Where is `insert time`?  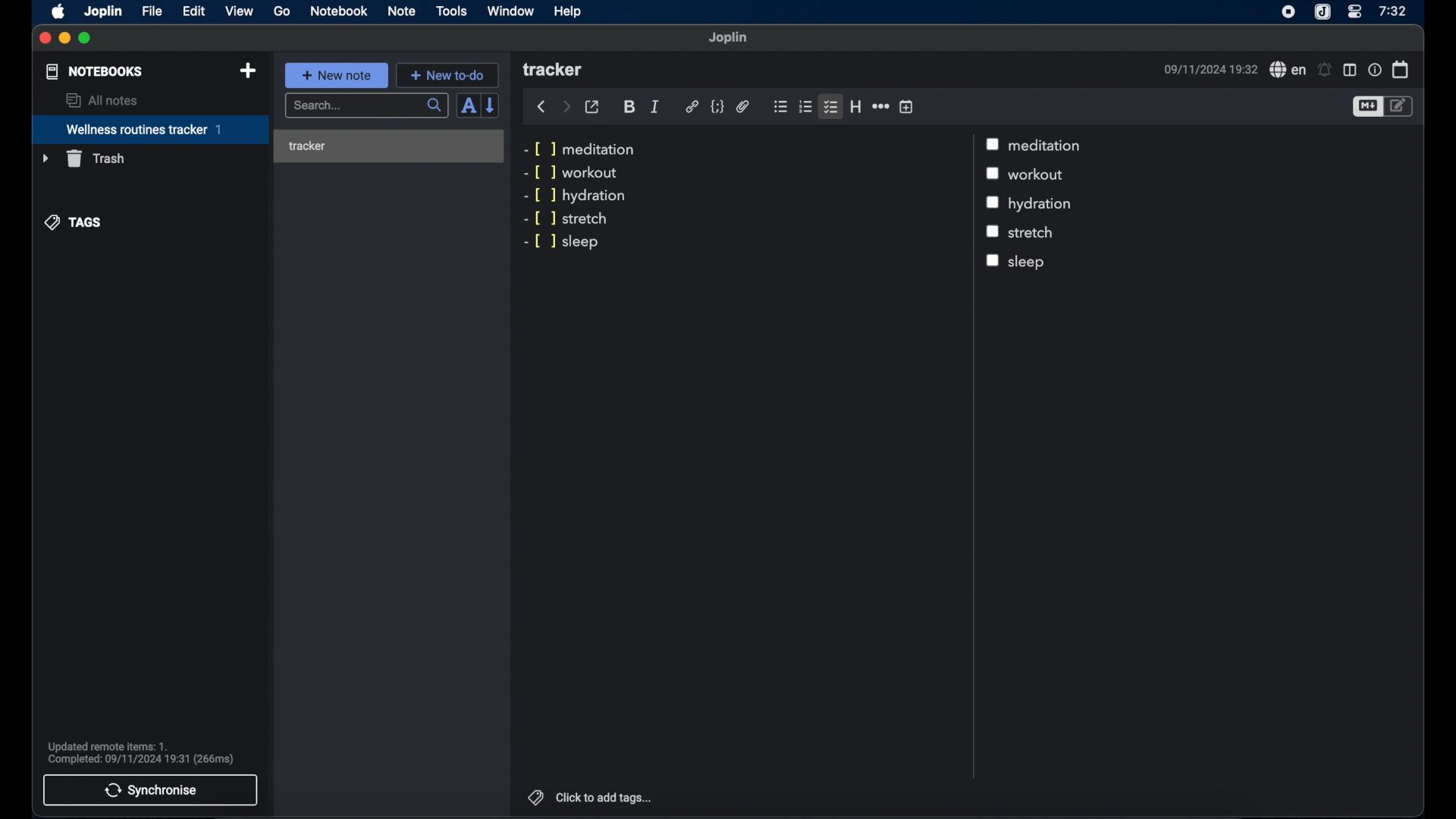 insert time is located at coordinates (906, 106).